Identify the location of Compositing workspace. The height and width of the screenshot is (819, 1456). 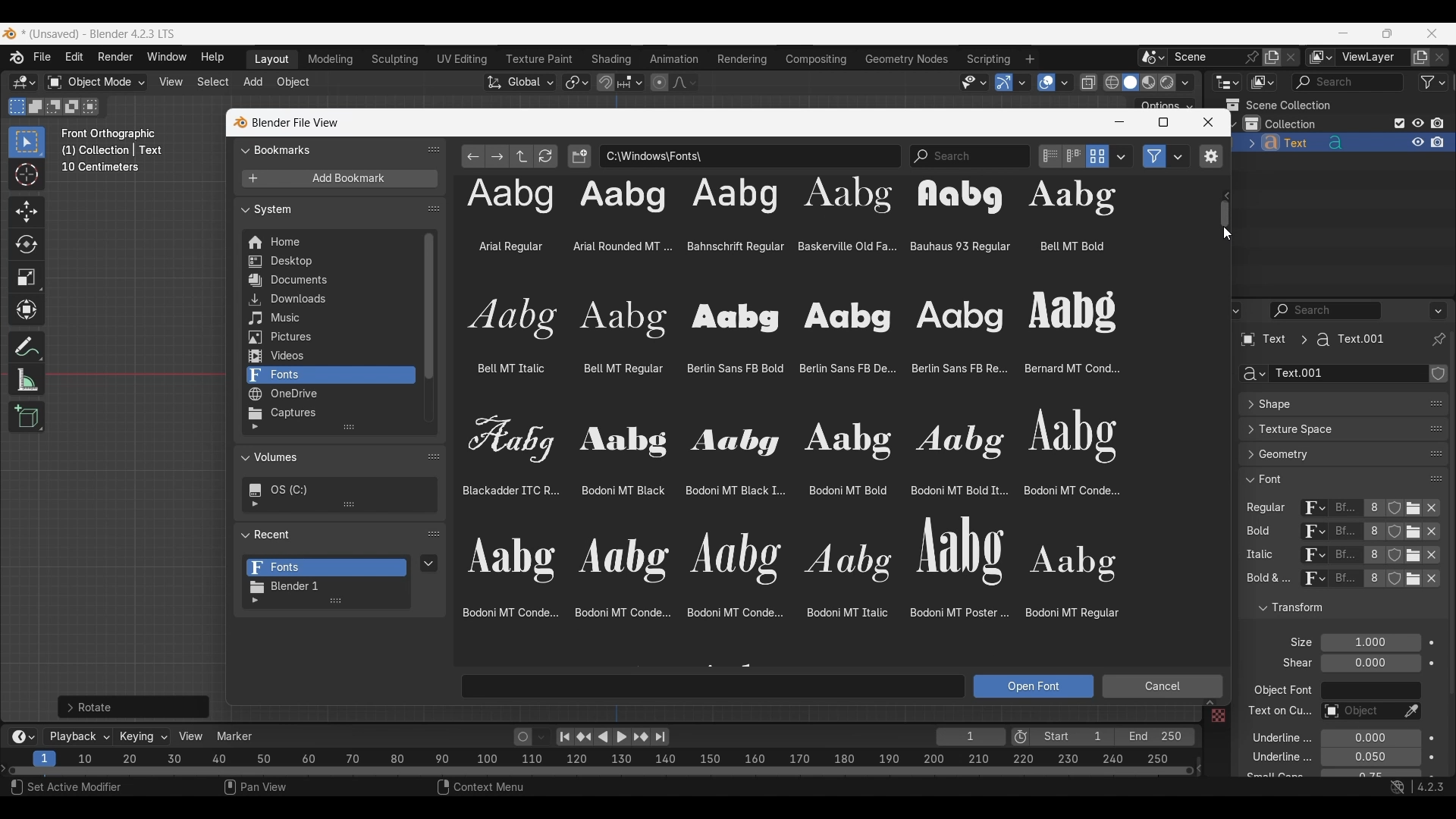
(817, 59).